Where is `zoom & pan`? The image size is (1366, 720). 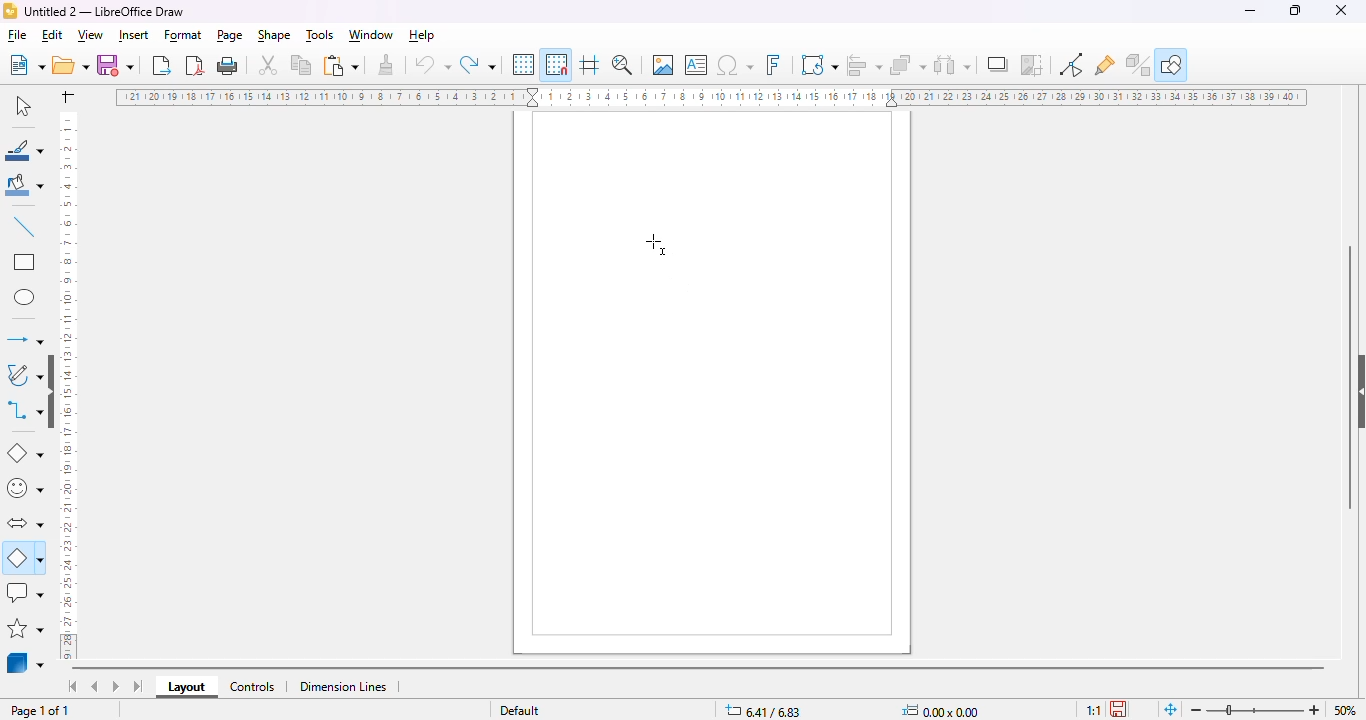
zoom & pan is located at coordinates (623, 65).